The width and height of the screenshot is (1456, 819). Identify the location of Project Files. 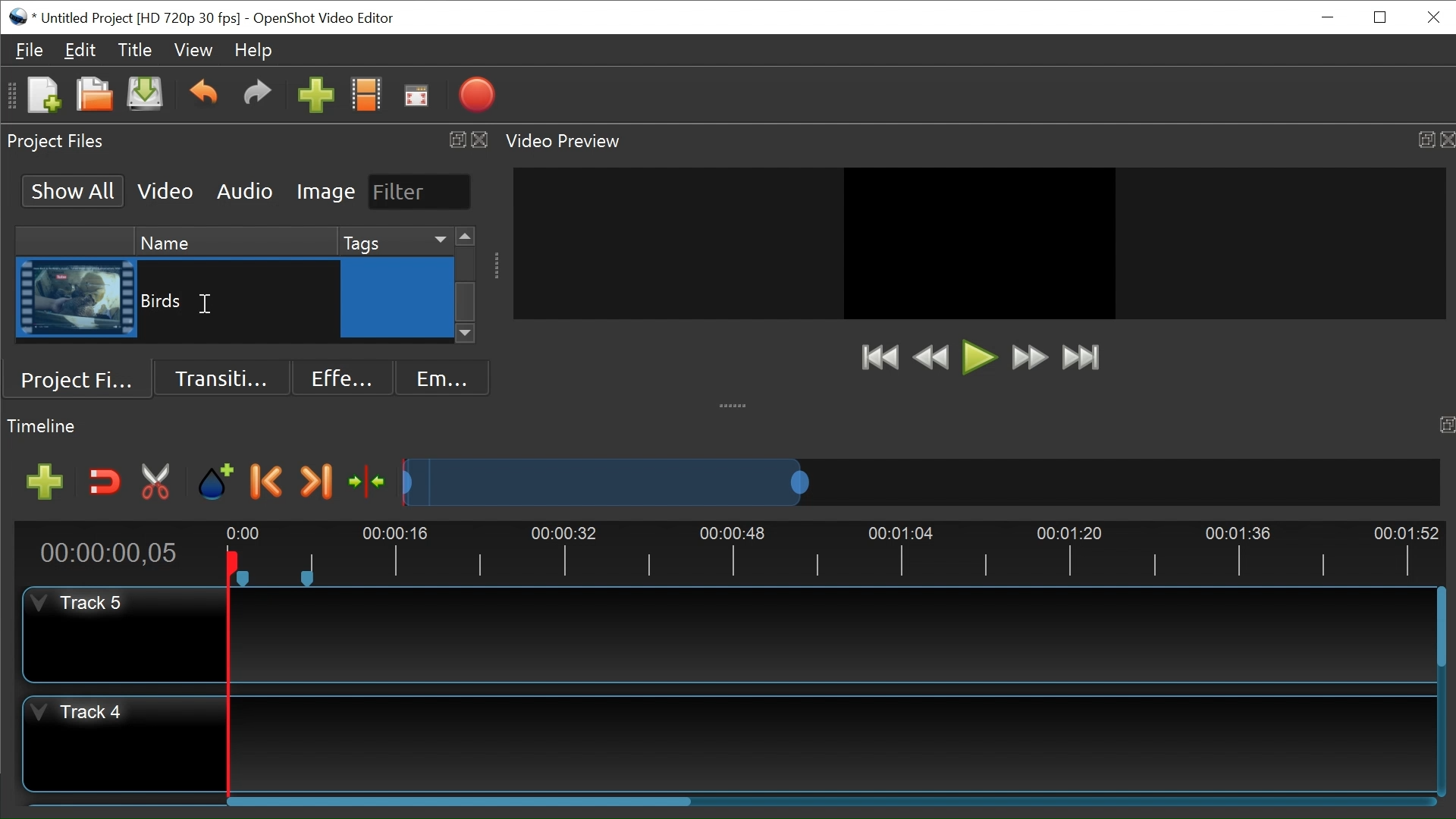
(248, 140).